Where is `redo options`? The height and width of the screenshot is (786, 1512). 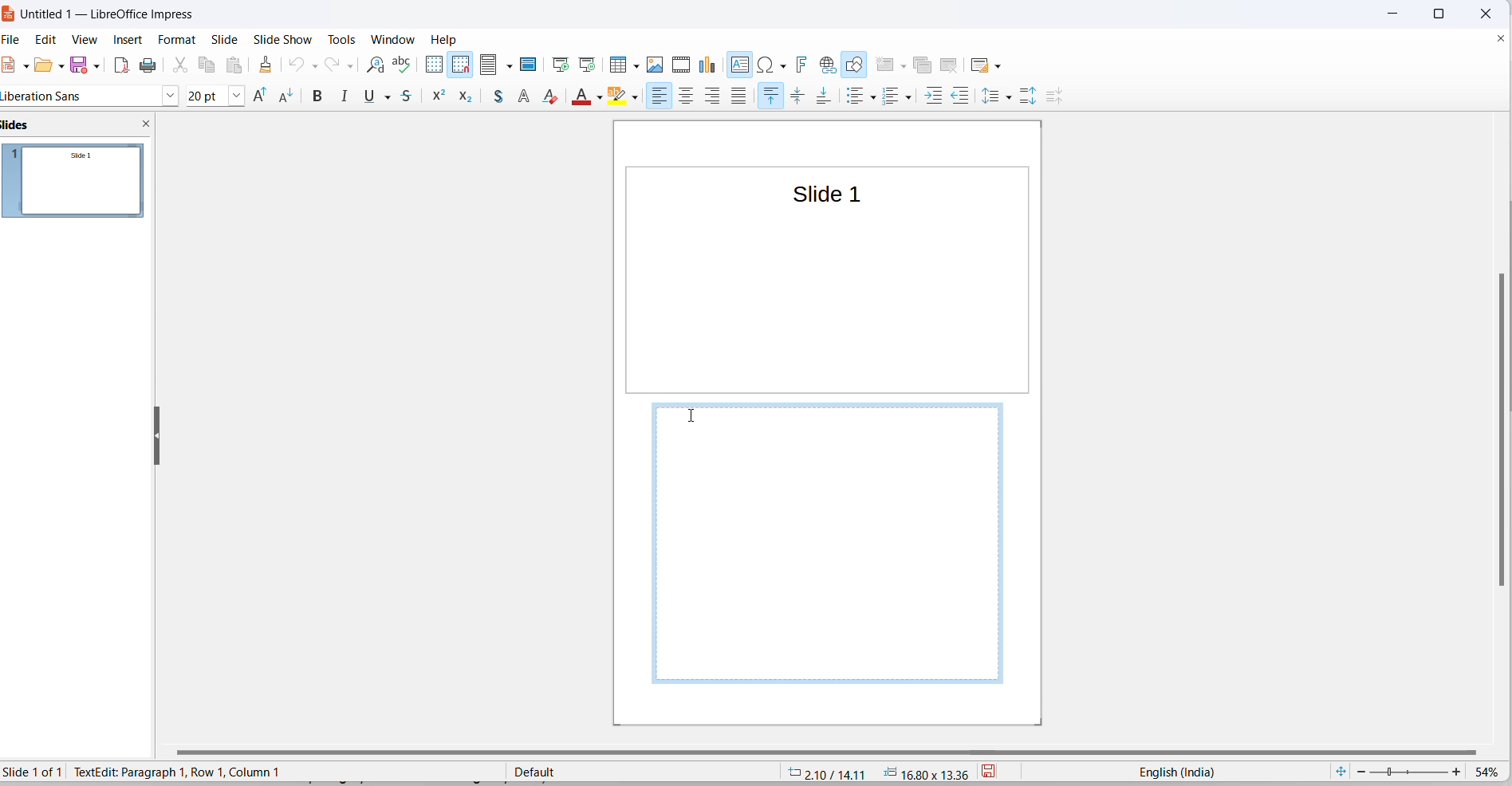
redo options is located at coordinates (350, 65).